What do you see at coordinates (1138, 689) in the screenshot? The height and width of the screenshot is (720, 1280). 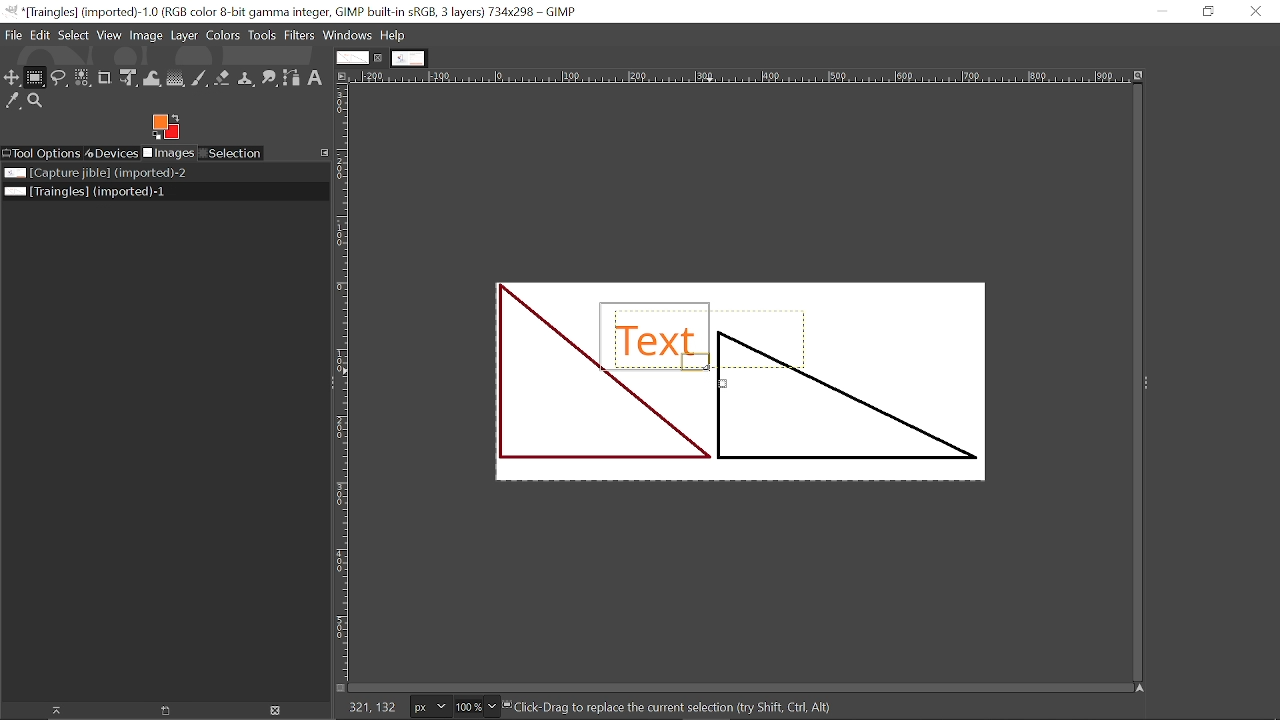 I see `Navigate this window` at bounding box center [1138, 689].